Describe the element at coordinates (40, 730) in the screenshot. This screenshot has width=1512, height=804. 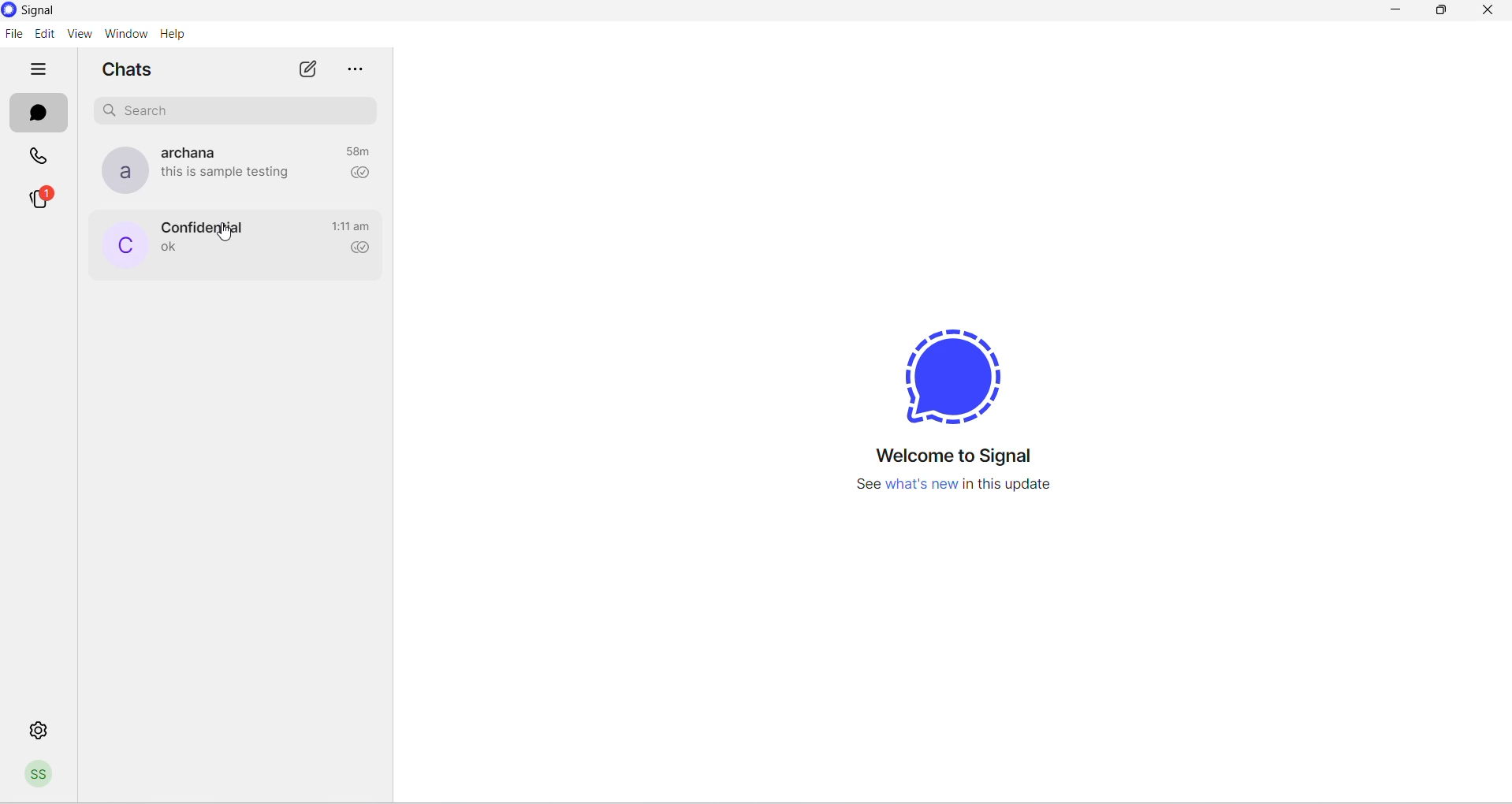
I see `settings` at that location.